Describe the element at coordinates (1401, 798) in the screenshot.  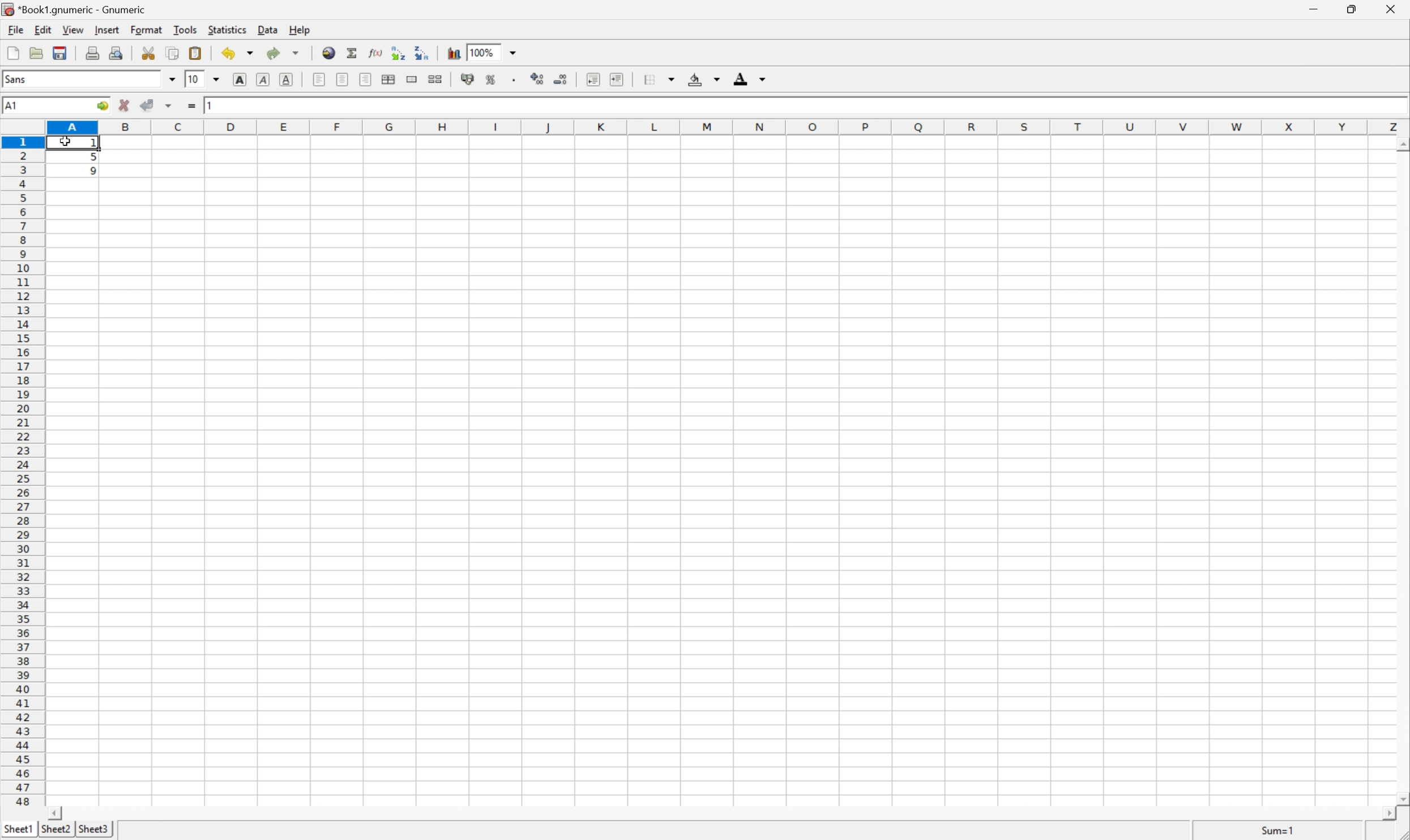
I see `scroll down` at that location.